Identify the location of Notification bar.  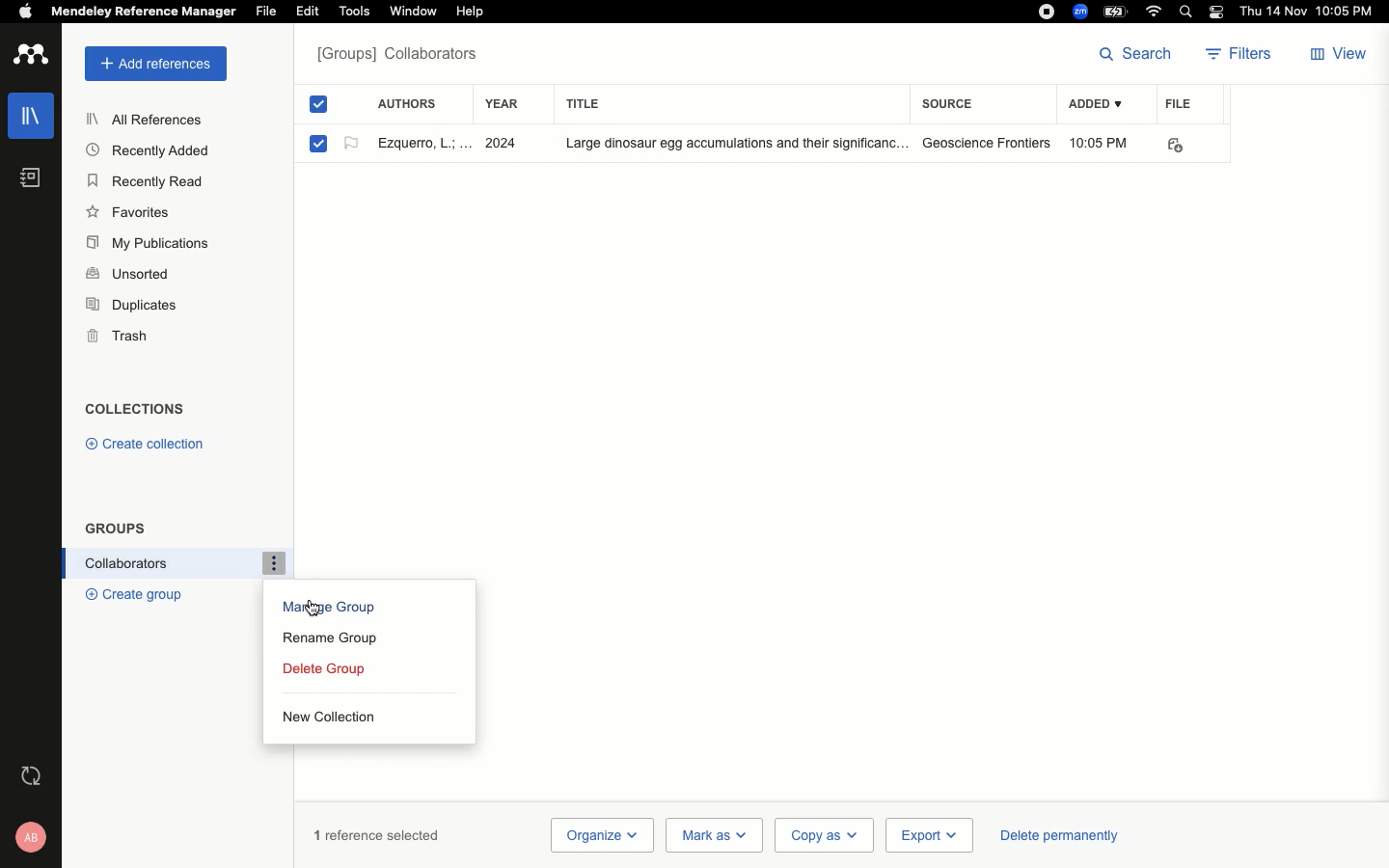
(1217, 14).